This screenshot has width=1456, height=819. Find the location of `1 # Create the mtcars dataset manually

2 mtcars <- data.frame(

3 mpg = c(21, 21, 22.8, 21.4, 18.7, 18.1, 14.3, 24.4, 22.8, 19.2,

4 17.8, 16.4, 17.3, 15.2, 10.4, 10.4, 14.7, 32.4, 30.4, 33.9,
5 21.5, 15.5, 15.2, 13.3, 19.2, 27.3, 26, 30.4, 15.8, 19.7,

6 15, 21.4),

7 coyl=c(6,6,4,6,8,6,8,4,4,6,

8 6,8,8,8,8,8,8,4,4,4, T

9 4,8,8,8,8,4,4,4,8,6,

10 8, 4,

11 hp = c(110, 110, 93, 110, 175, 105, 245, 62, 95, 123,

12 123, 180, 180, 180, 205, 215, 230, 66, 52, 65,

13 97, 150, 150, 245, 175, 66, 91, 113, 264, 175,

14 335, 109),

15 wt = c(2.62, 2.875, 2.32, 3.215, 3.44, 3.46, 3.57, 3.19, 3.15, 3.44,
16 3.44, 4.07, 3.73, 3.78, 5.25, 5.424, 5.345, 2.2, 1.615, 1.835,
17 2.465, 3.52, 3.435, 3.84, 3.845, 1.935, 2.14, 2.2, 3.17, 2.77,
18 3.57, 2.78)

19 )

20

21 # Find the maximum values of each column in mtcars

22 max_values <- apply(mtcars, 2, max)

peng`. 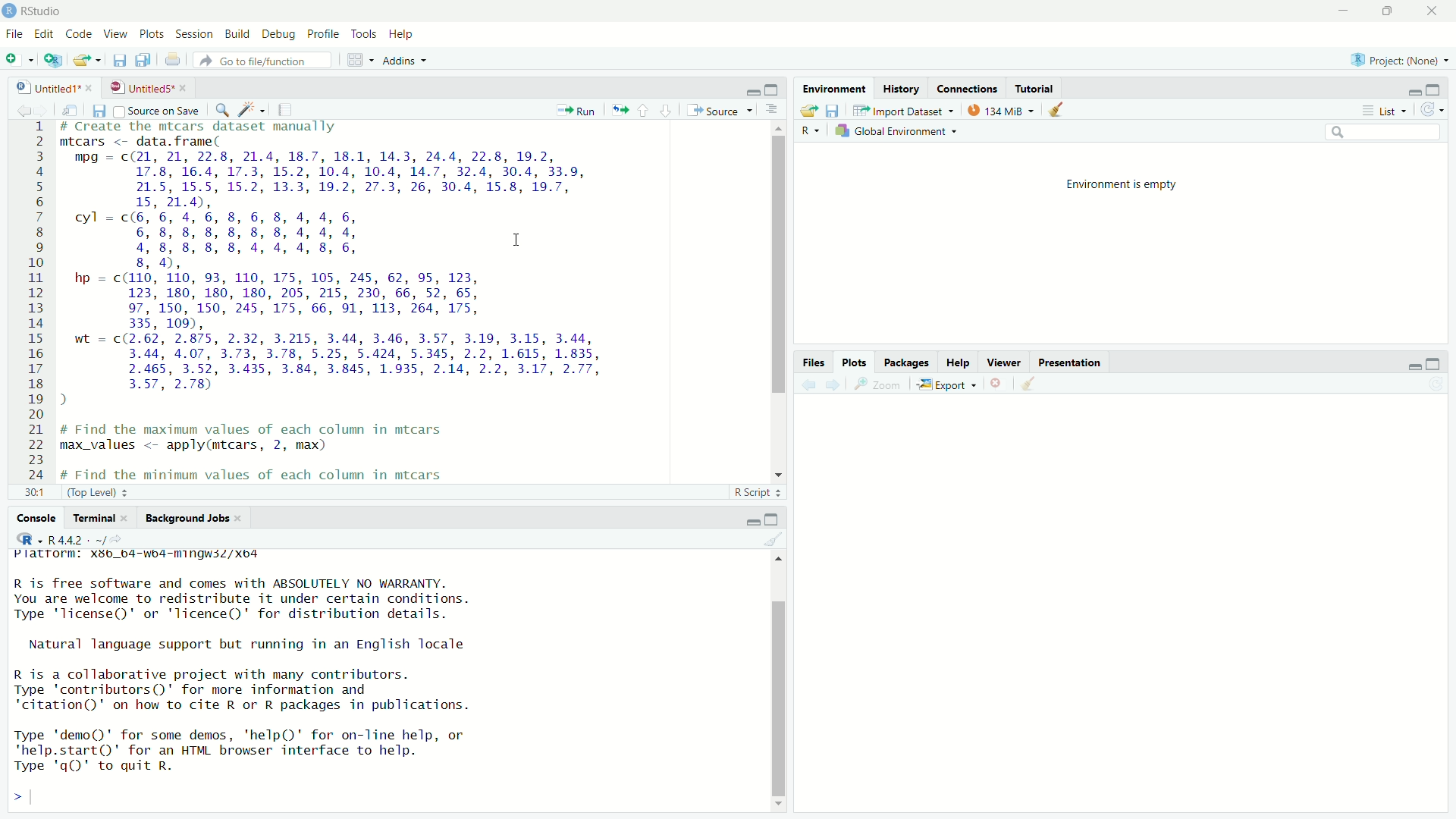

1 # Create the mtcars dataset manually

2 mtcars <- data.frame(

3 mpg = c(21, 21, 22.8, 21.4, 18.7, 18.1, 14.3, 24.4, 22.8, 19.2,

4 17.8, 16.4, 17.3, 15.2, 10.4, 10.4, 14.7, 32.4, 30.4, 33.9,
5 21.5, 15.5, 15.2, 13.3, 19.2, 27.3, 26, 30.4, 15.8, 19.7,

6 15, 21.4),

7 coyl=c(6,6,4,6,8,6,8,4,4,6,

8 6,8,8,8,8,8,8,4,4,4, T

9 4,8,8,8,8,4,4,4,8,6,

10 8, 4,

11 hp = c(110, 110, 93, 110, 175, 105, 245, 62, 95, 123,

12 123, 180, 180, 180, 205, 215, 230, 66, 52, 65,

13 97, 150, 150, 245, 175, 66, 91, 113, 264, 175,

14 335, 109),

15 wt = c(2.62, 2.875, 2.32, 3.215, 3.44, 3.46, 3.57, 3.19, 3.15, 3.44,
16 3.44, 4.07, 3.73, 3.78, 5.25, 5.424, 5.345, 2.2, 1.615, 1.835,
17 2.465, 3.52, 3.435, 3.84, 3.845, 1.935, 2.14, 2.2, 3.17, 2.77,
18 3.57, 2.78)

19 )

20

21 # Find the maximum values of each column in mtcars

22 max_values <- apply(mtcars, 2, max)

peng is located at coordinates (352, 300).